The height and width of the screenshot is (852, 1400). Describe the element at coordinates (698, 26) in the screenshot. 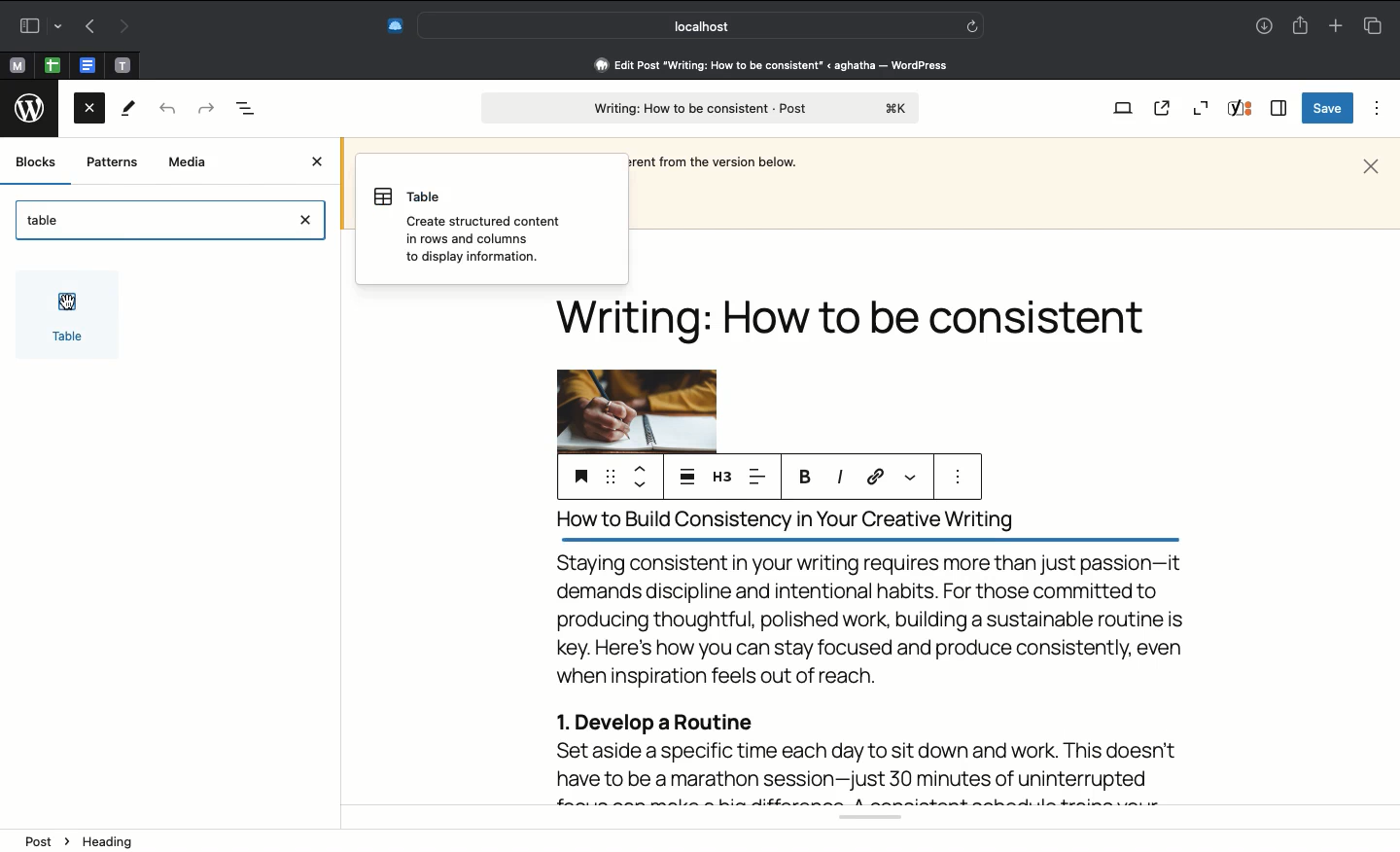

I see `Search address bar` at that location.